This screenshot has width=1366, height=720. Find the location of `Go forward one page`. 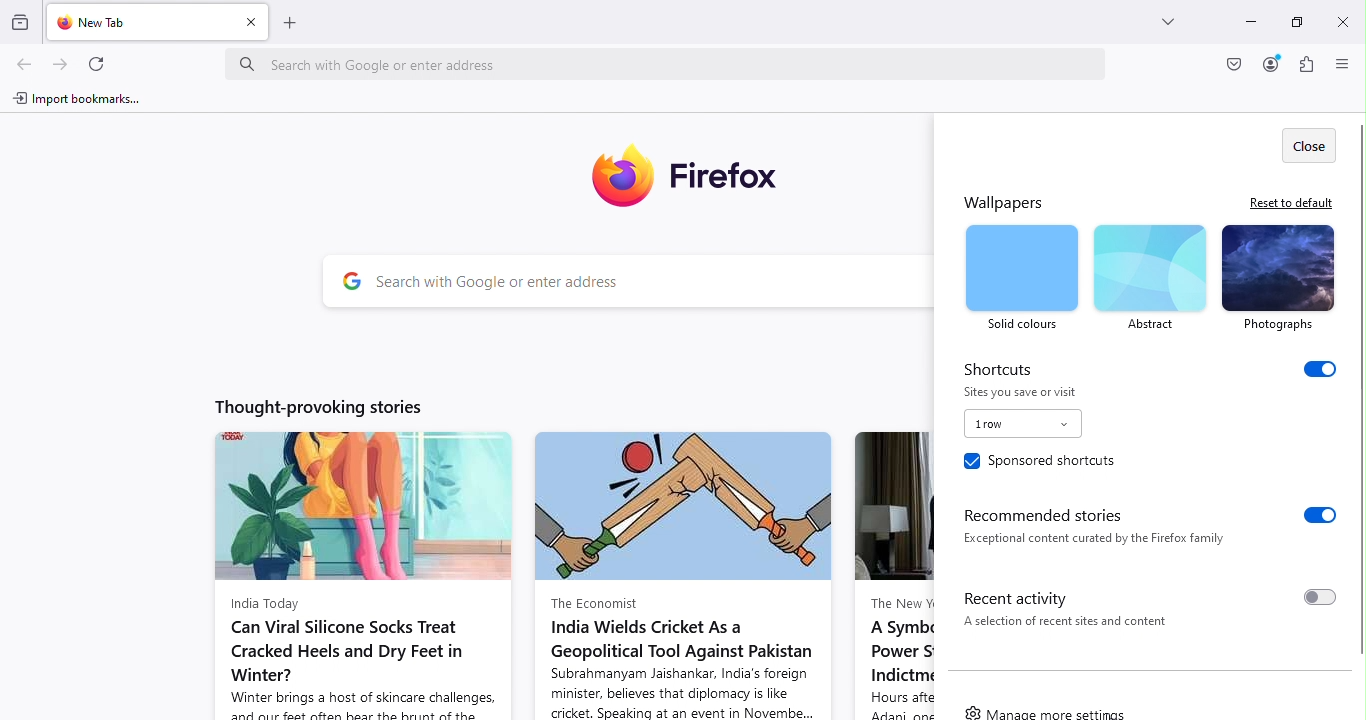

Go forward one page is located at coordinates (58, 65).